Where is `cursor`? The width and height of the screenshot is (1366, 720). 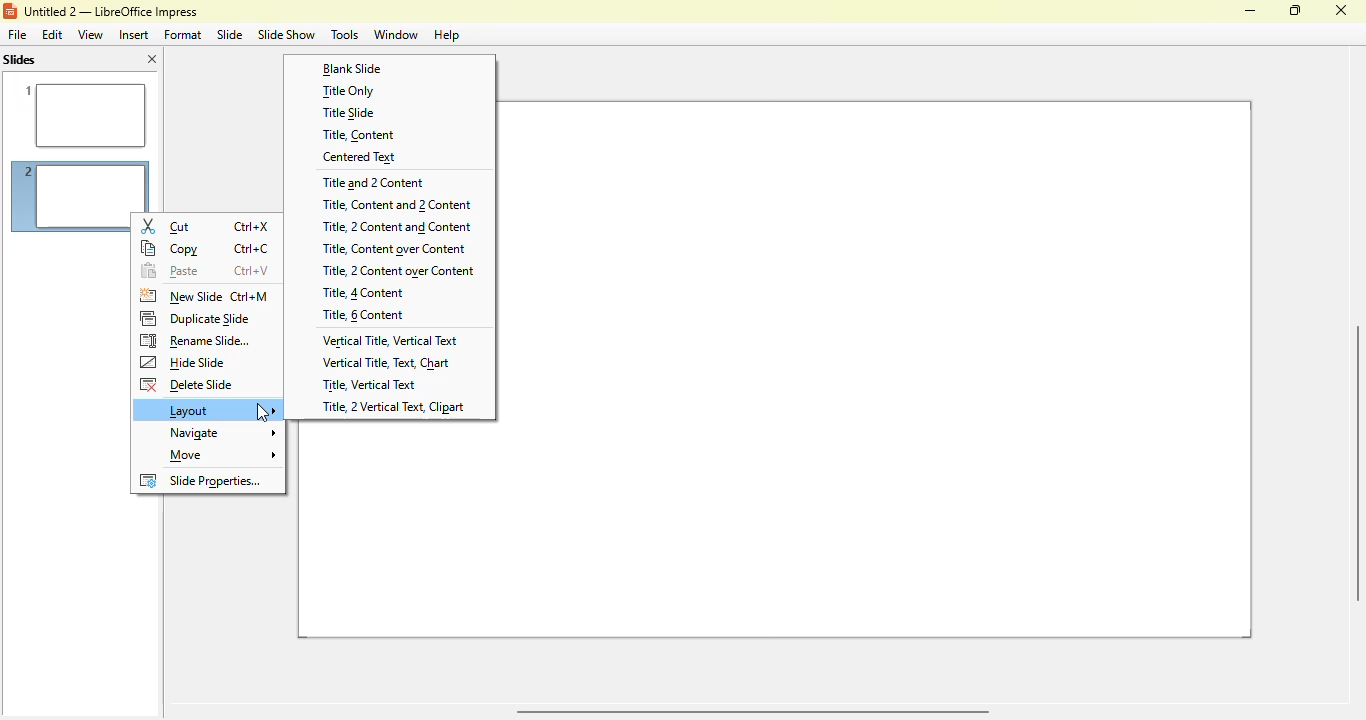
cursor is located at coordinates (261, 412).